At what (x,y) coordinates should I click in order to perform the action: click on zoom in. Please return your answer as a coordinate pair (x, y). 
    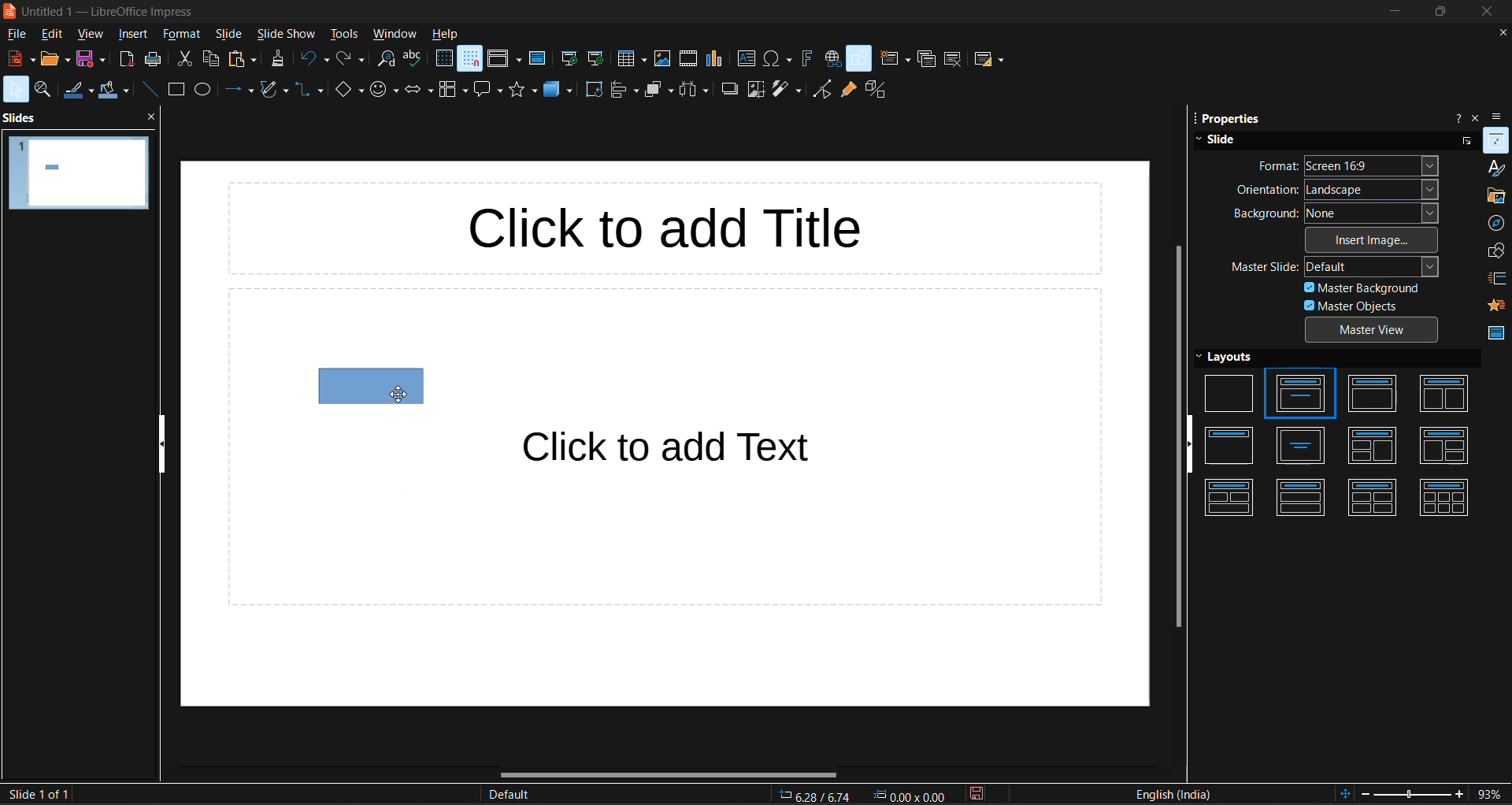
    Looking at the image, I should click on (1461, 795).